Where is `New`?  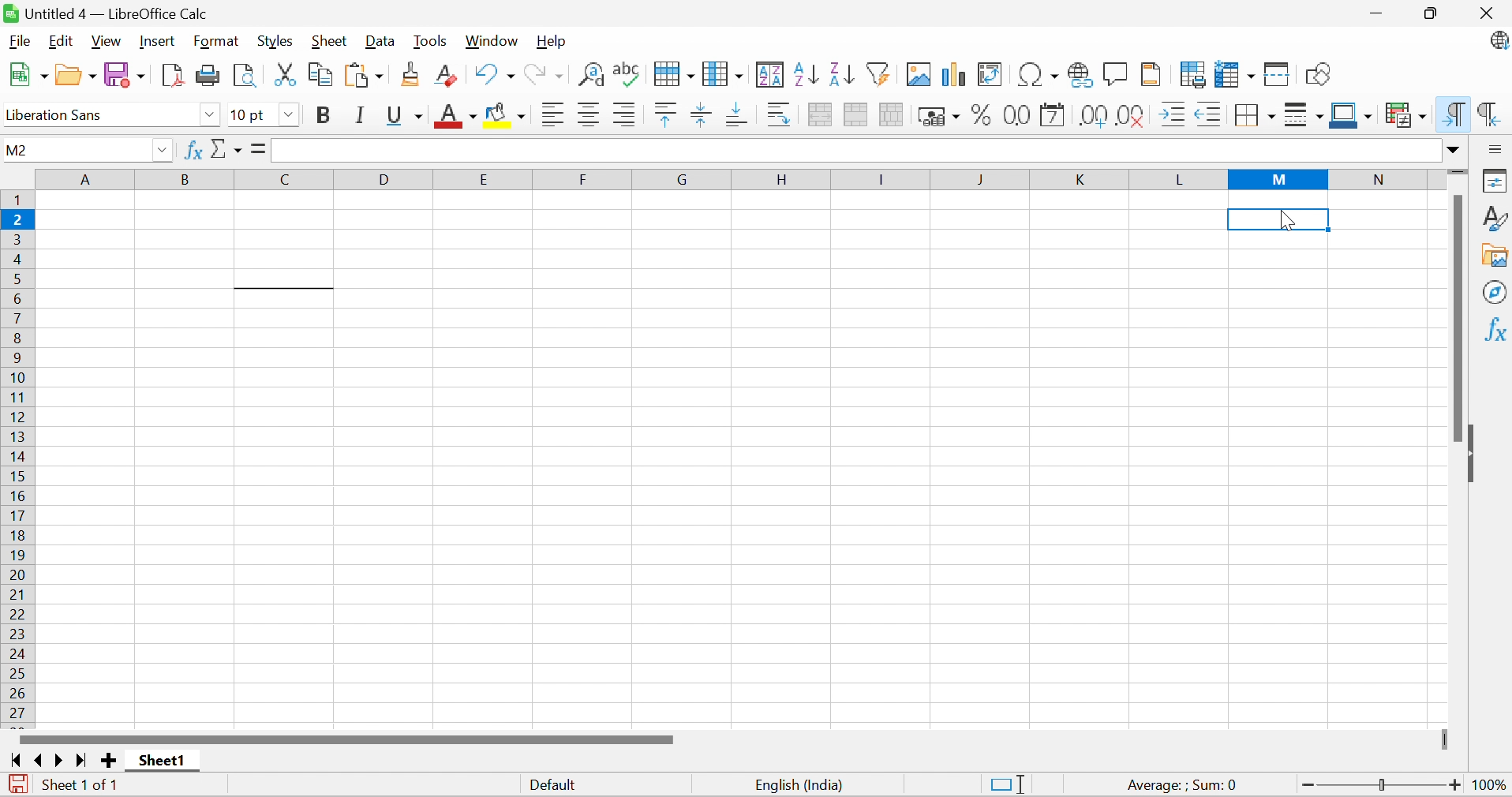 New is located at coordinates (28, 75).